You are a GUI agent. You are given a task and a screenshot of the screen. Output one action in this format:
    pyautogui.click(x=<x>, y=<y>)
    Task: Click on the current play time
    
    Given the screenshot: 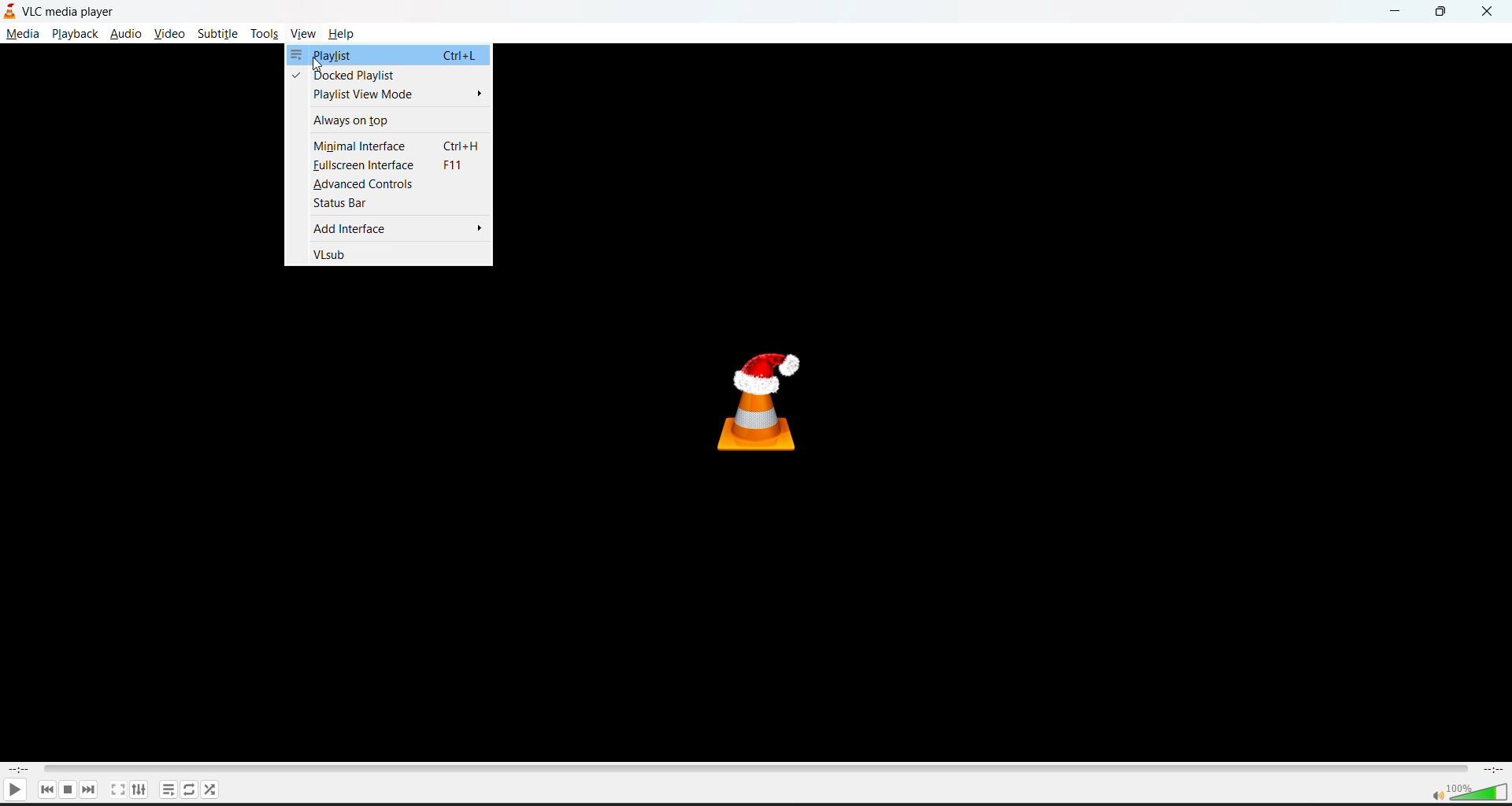 What is the action you would take?
    pyautogui.click(x=20, y=770)
    